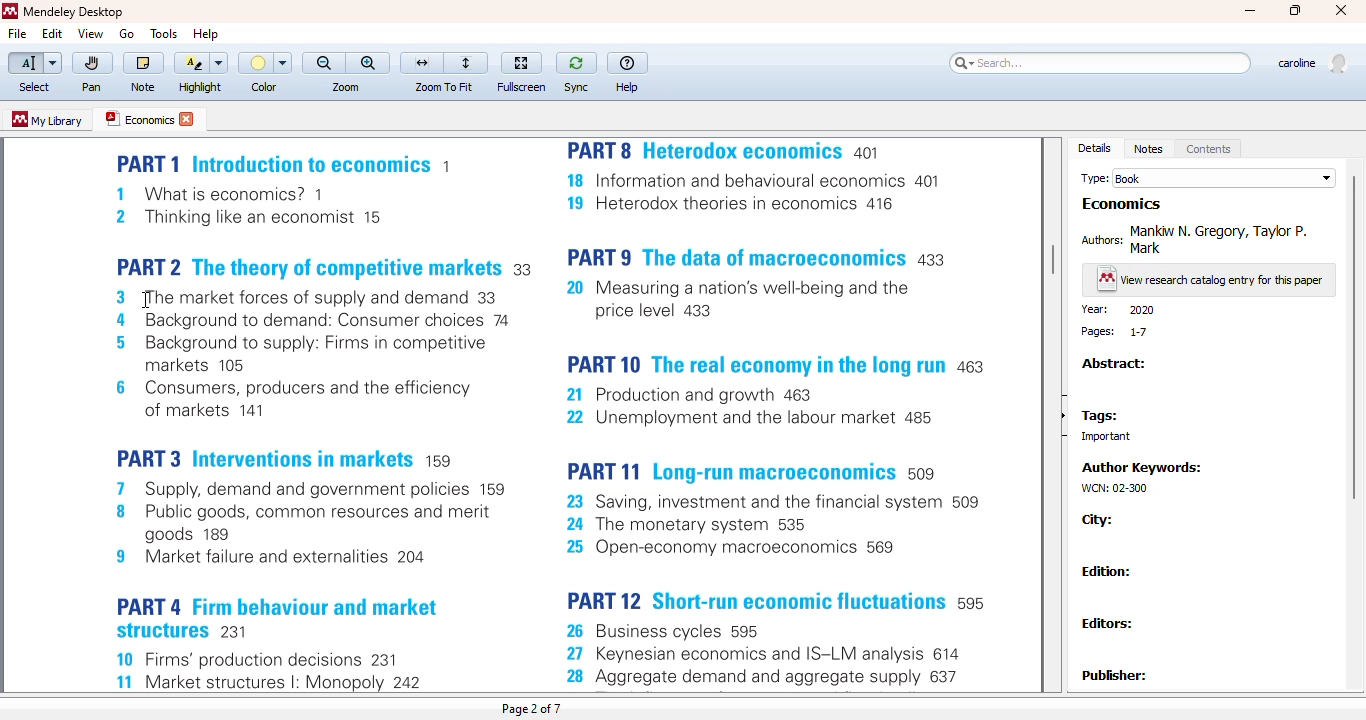  What do you see at coordinates (575, 64) in the screenshot?
I see `Sync` at bounding box center [575, 64].